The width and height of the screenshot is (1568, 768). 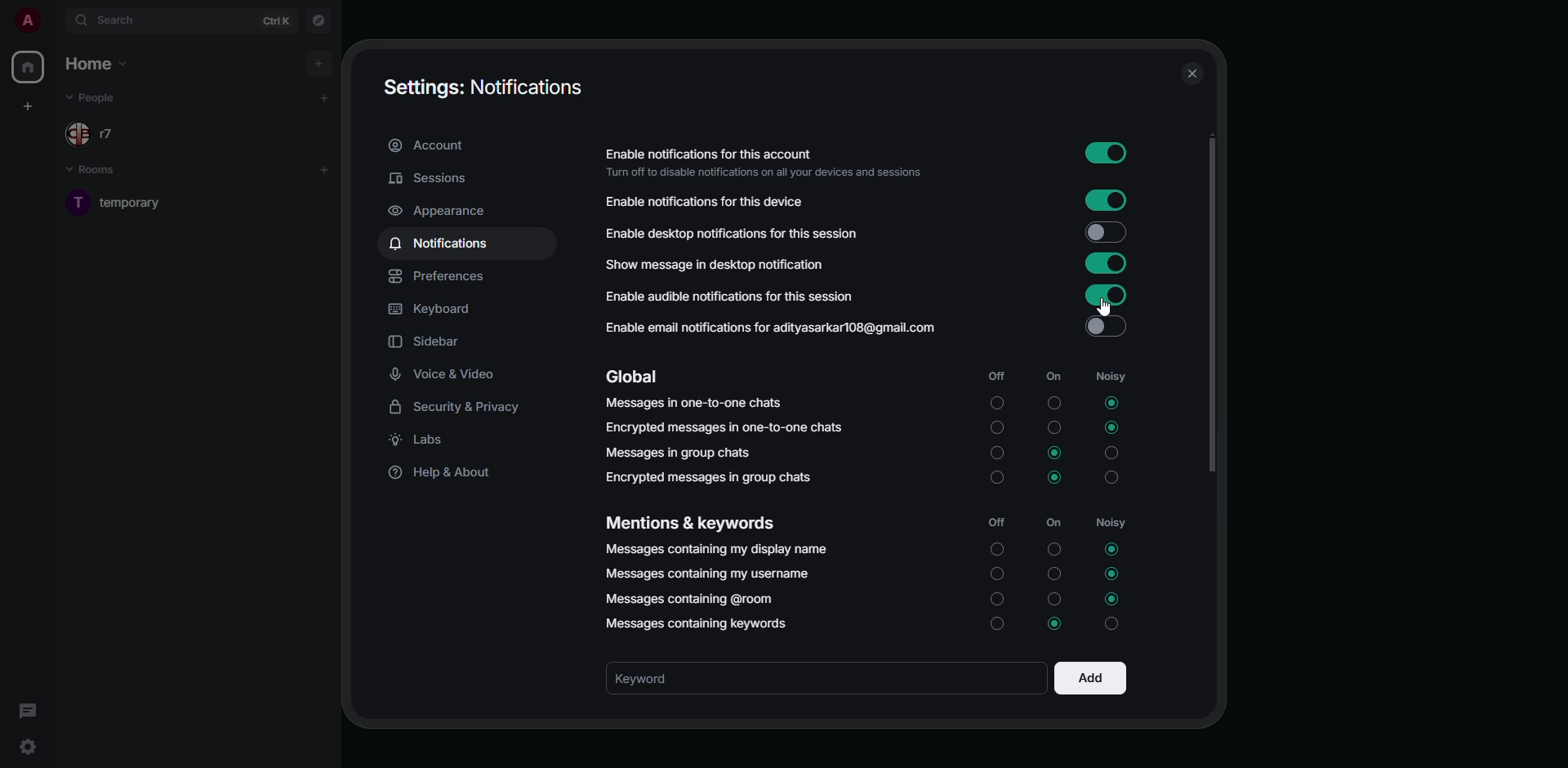 I want to click on close, so click(x=1191, y=73).